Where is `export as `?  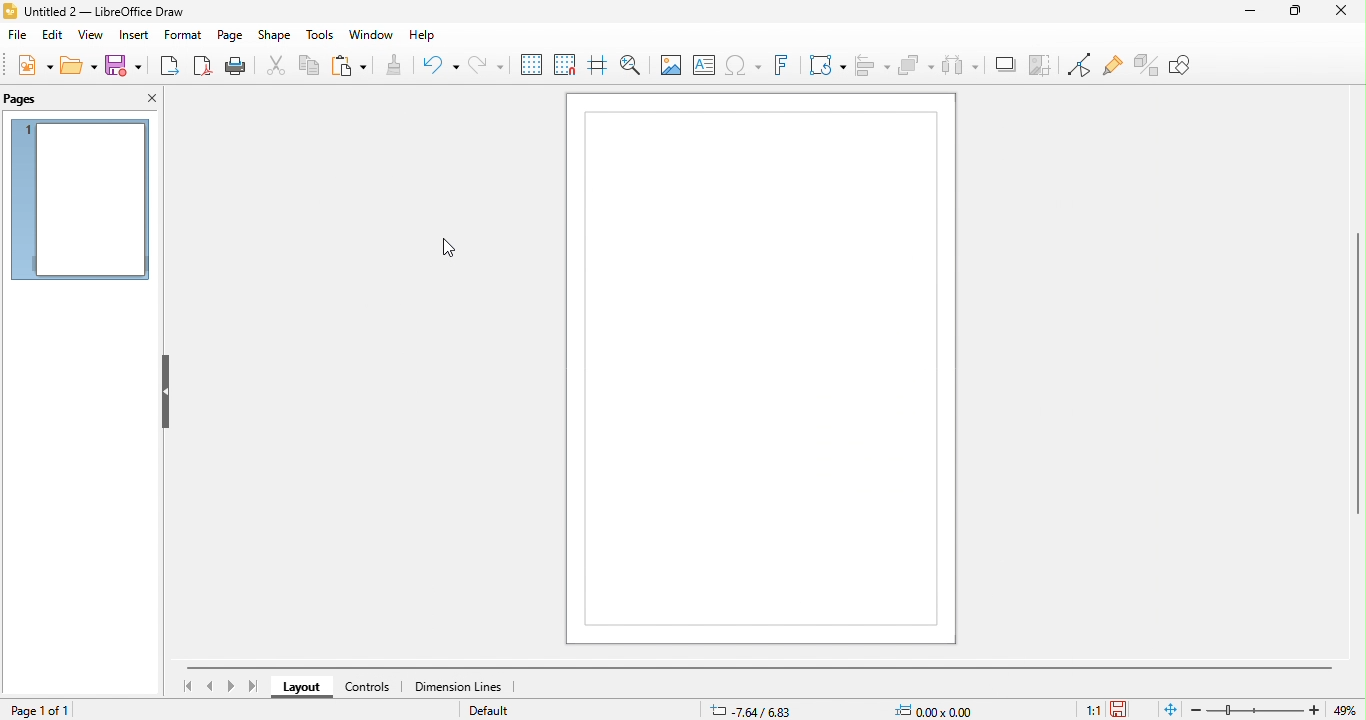 export as  is located at coordinates (170, 66).